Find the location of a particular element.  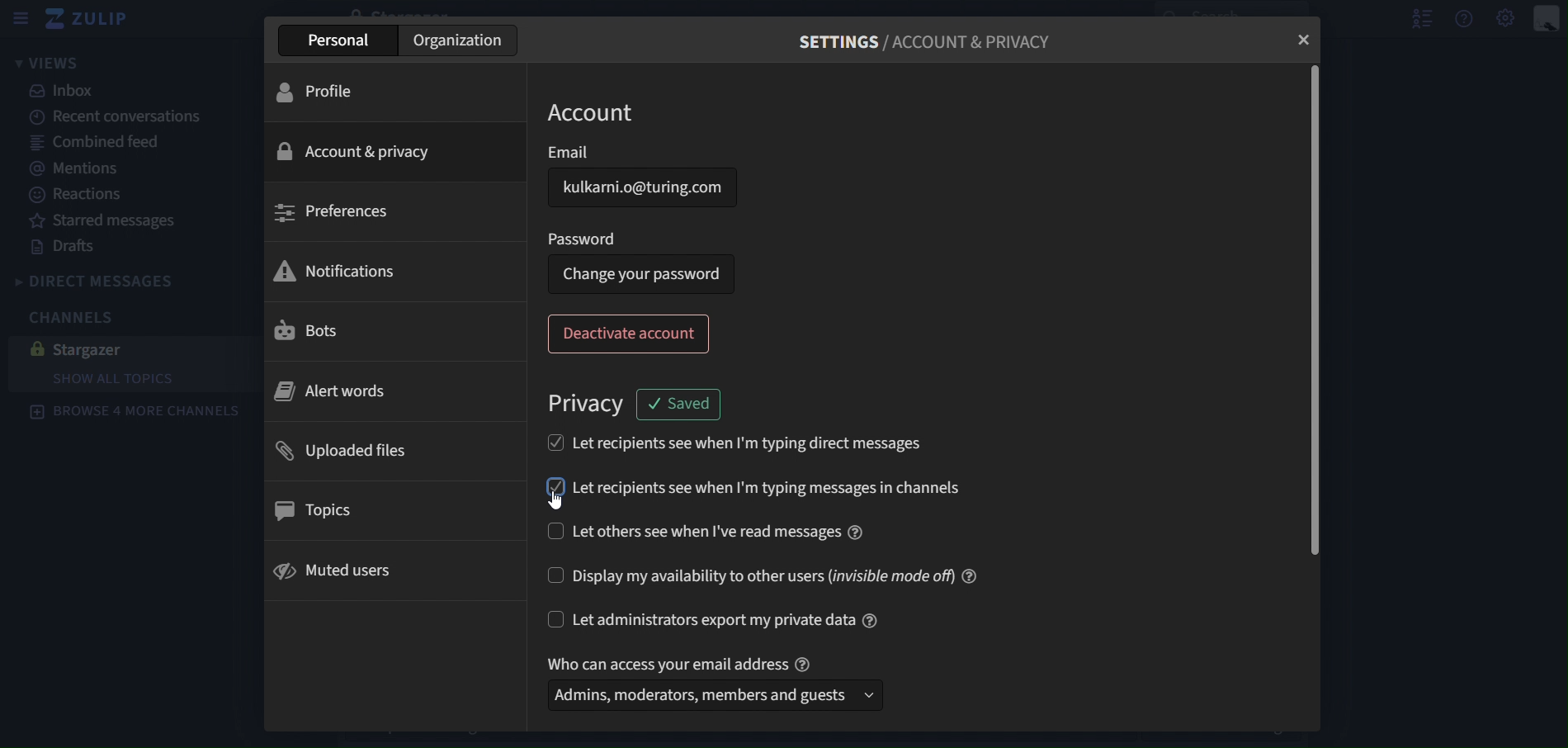

admins, moderators, members and guests is located at coordinates (718, 696).